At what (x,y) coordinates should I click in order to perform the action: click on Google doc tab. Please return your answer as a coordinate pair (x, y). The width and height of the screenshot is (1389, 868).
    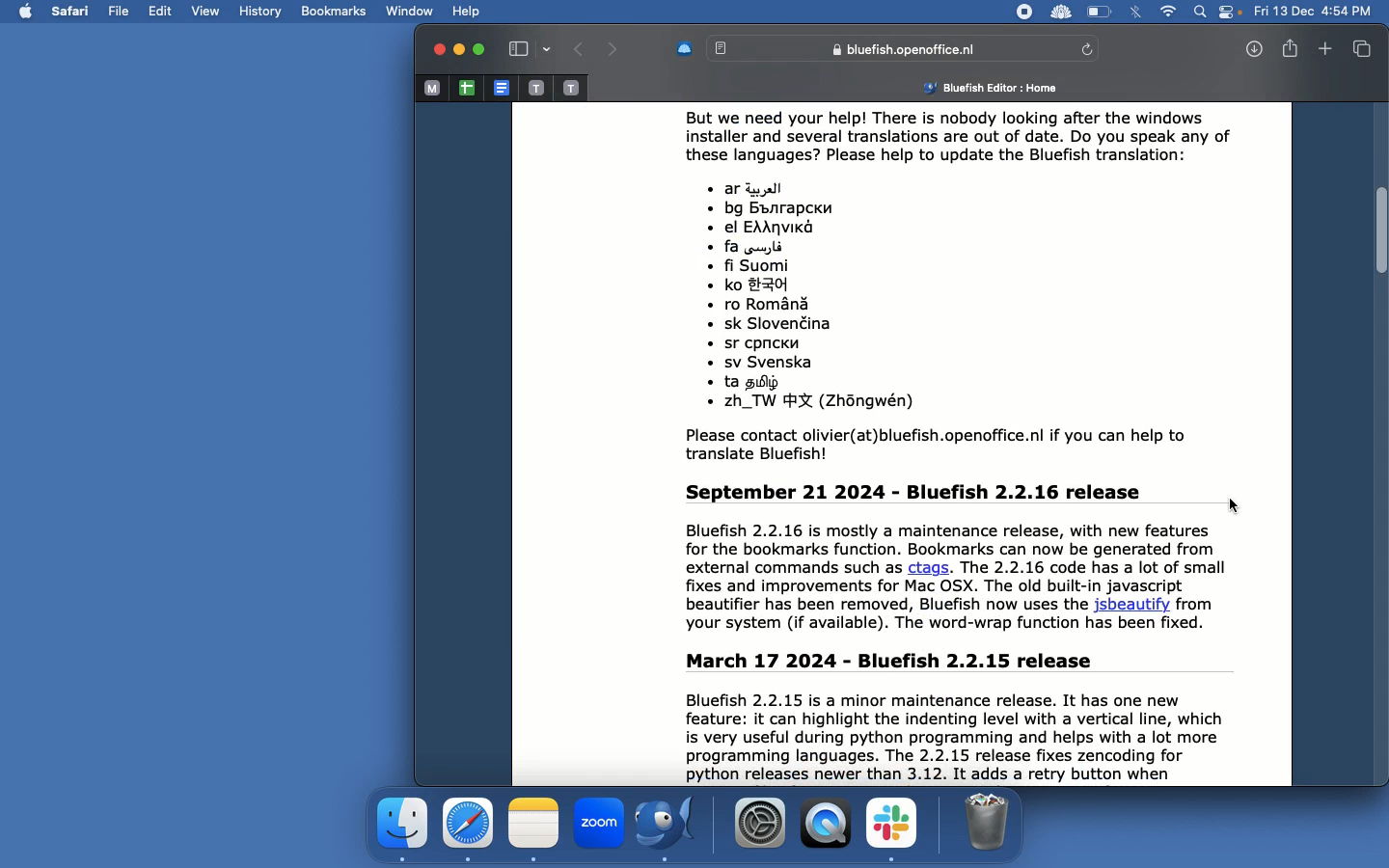
    Looking at the image, I should click on (502, 88).